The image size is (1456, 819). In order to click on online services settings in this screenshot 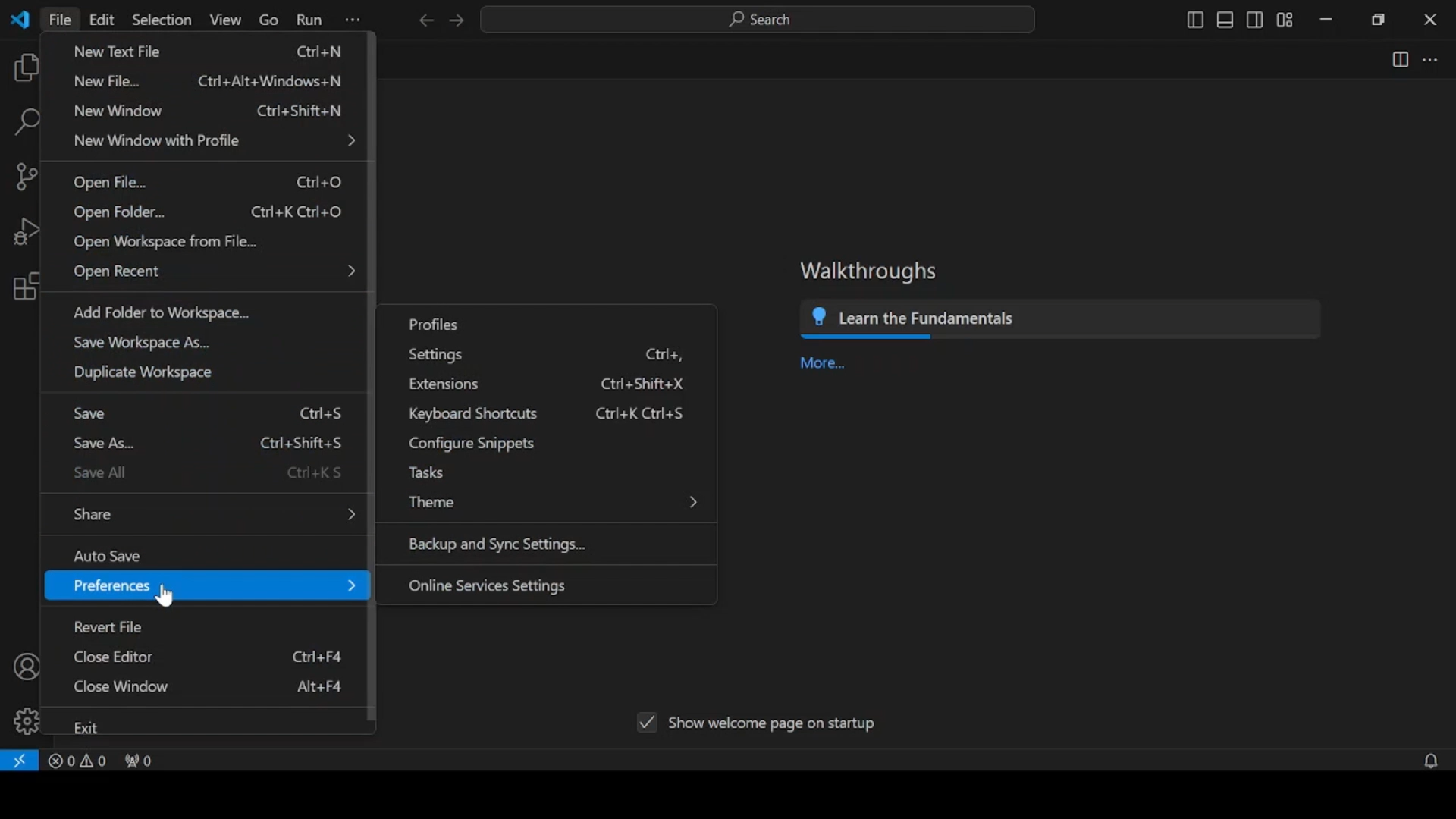, I will do `click(493, 588)`.